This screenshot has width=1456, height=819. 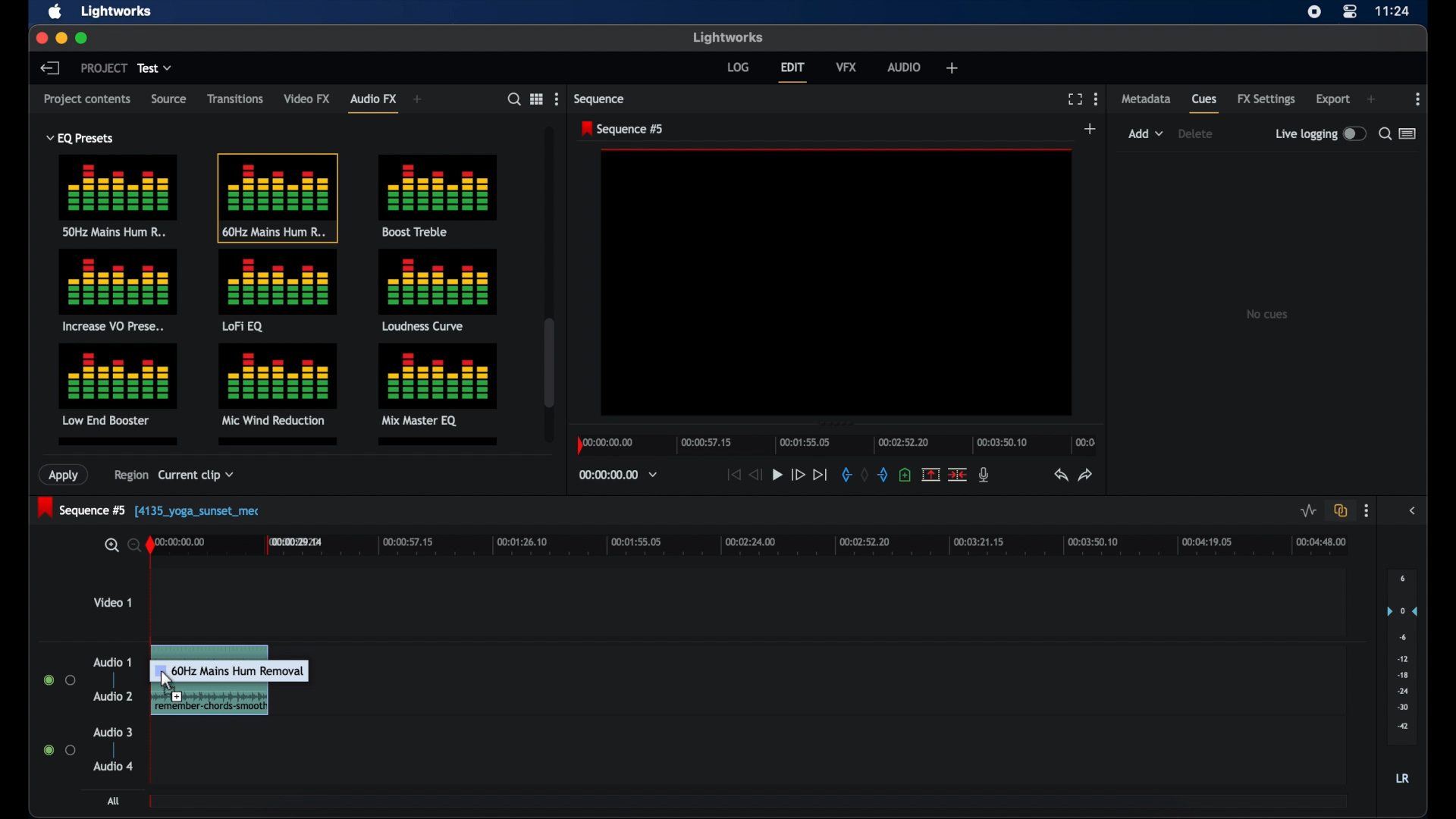 I want to click on add cue at current position, so click(x=905, y=473).